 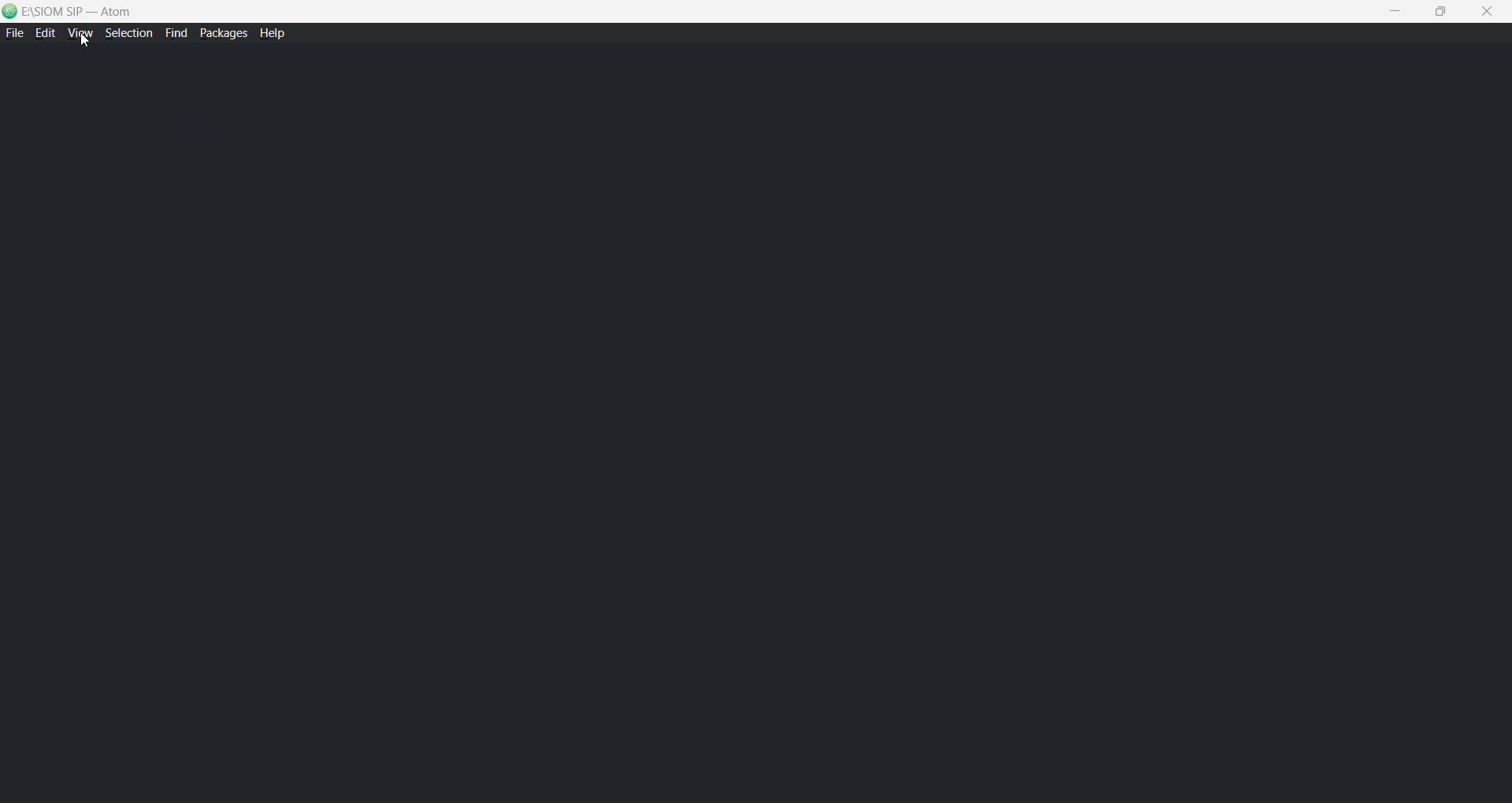 What do you see at coordinates (46, 35) in the screenshot?
I see `edit` at bounding box center [46, 35].